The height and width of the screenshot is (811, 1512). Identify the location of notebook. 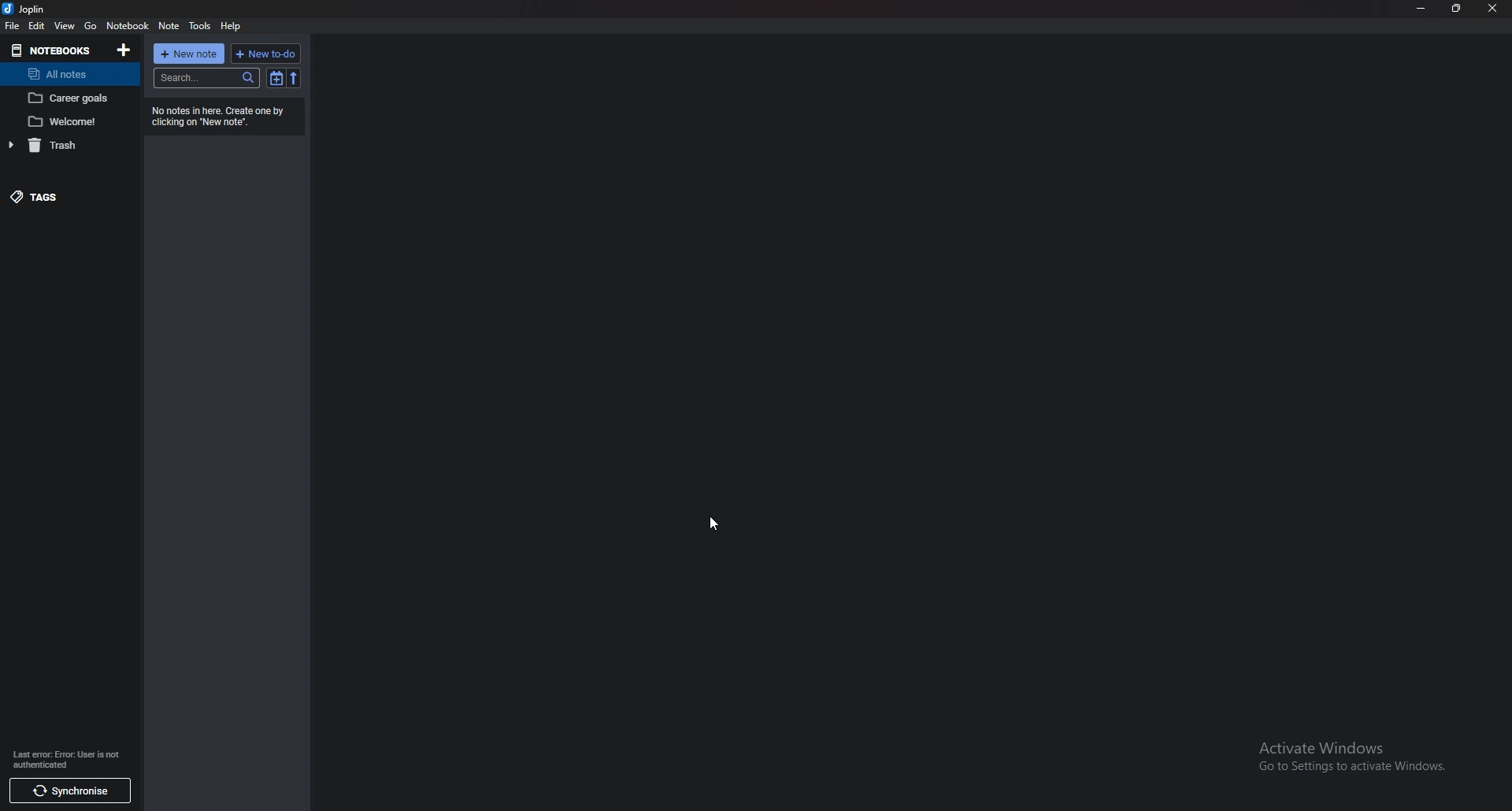
(128, 27).